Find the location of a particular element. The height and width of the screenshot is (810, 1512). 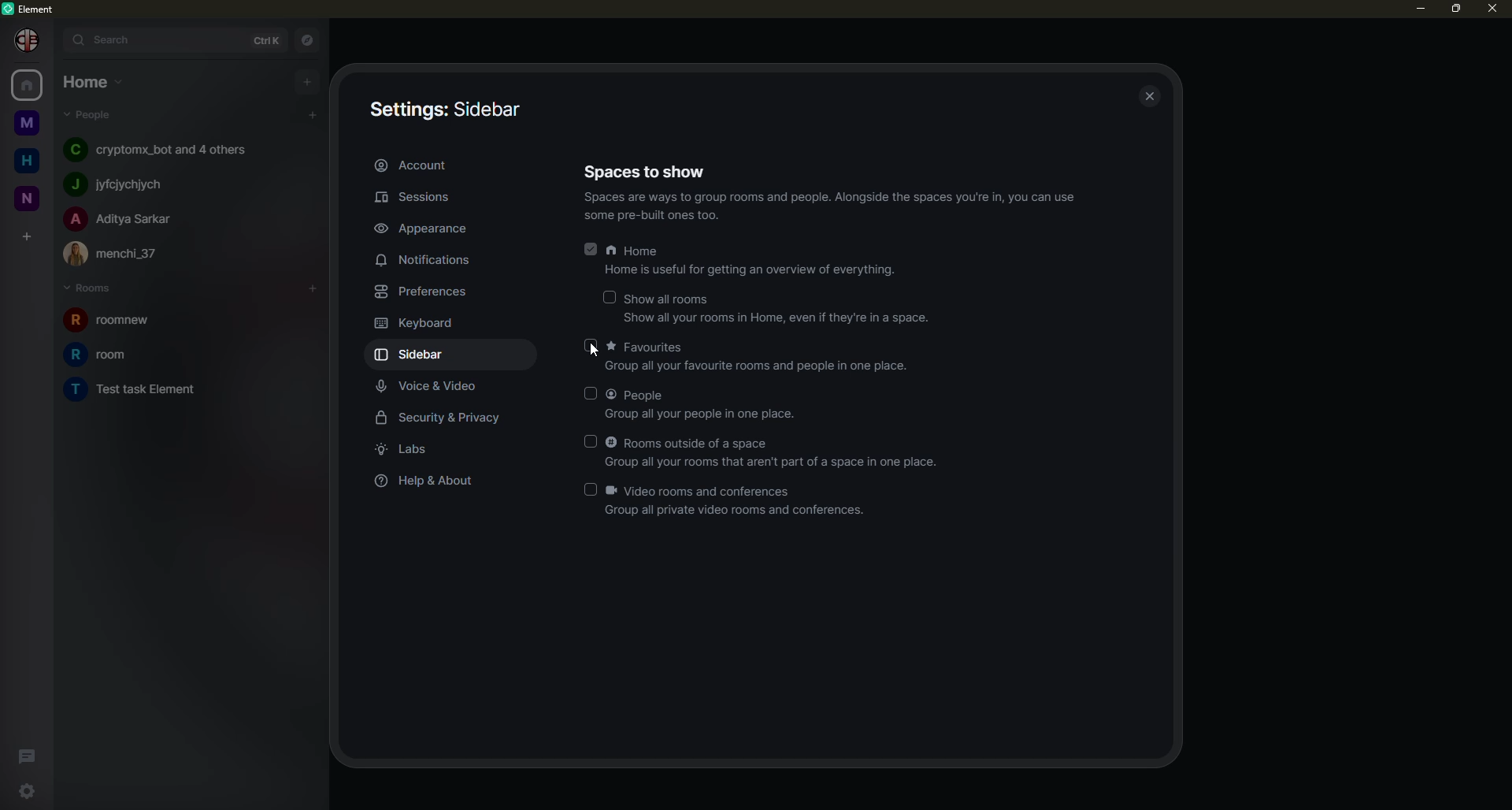

room is located at coordinates (104, 321).